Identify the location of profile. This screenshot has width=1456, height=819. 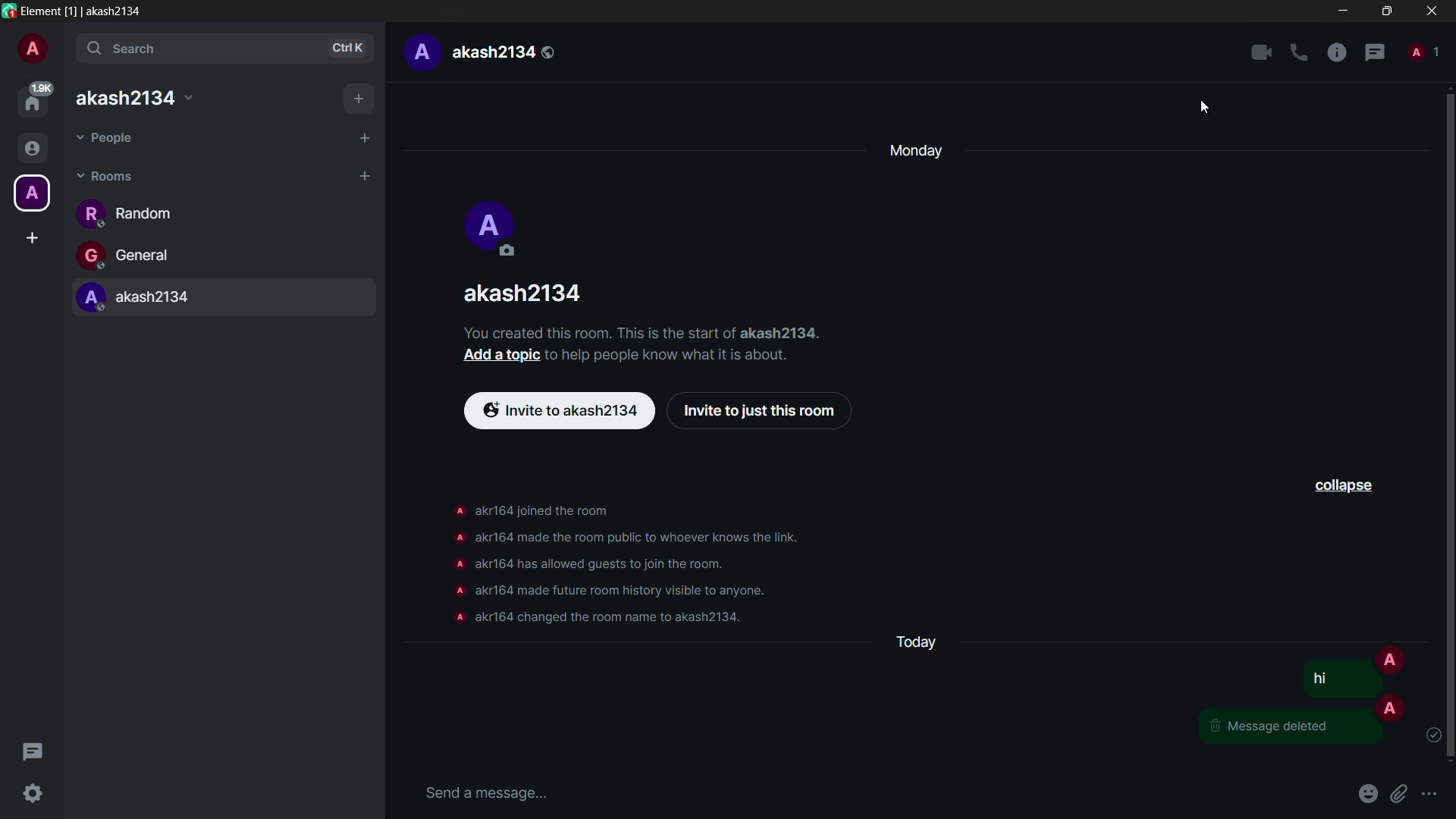
(457, 508).